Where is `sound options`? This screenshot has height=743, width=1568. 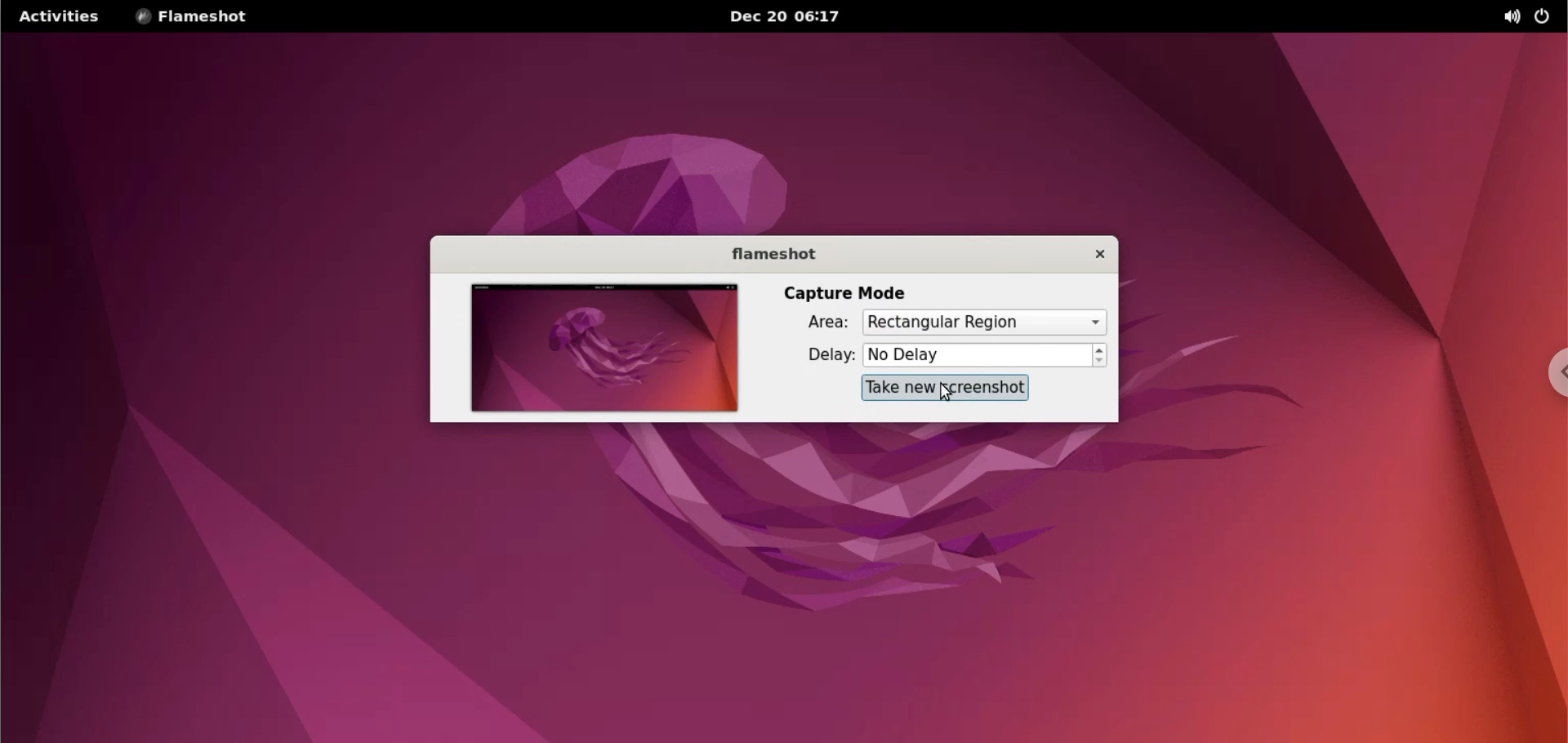
sound options is located at coordinates (1508, 16).